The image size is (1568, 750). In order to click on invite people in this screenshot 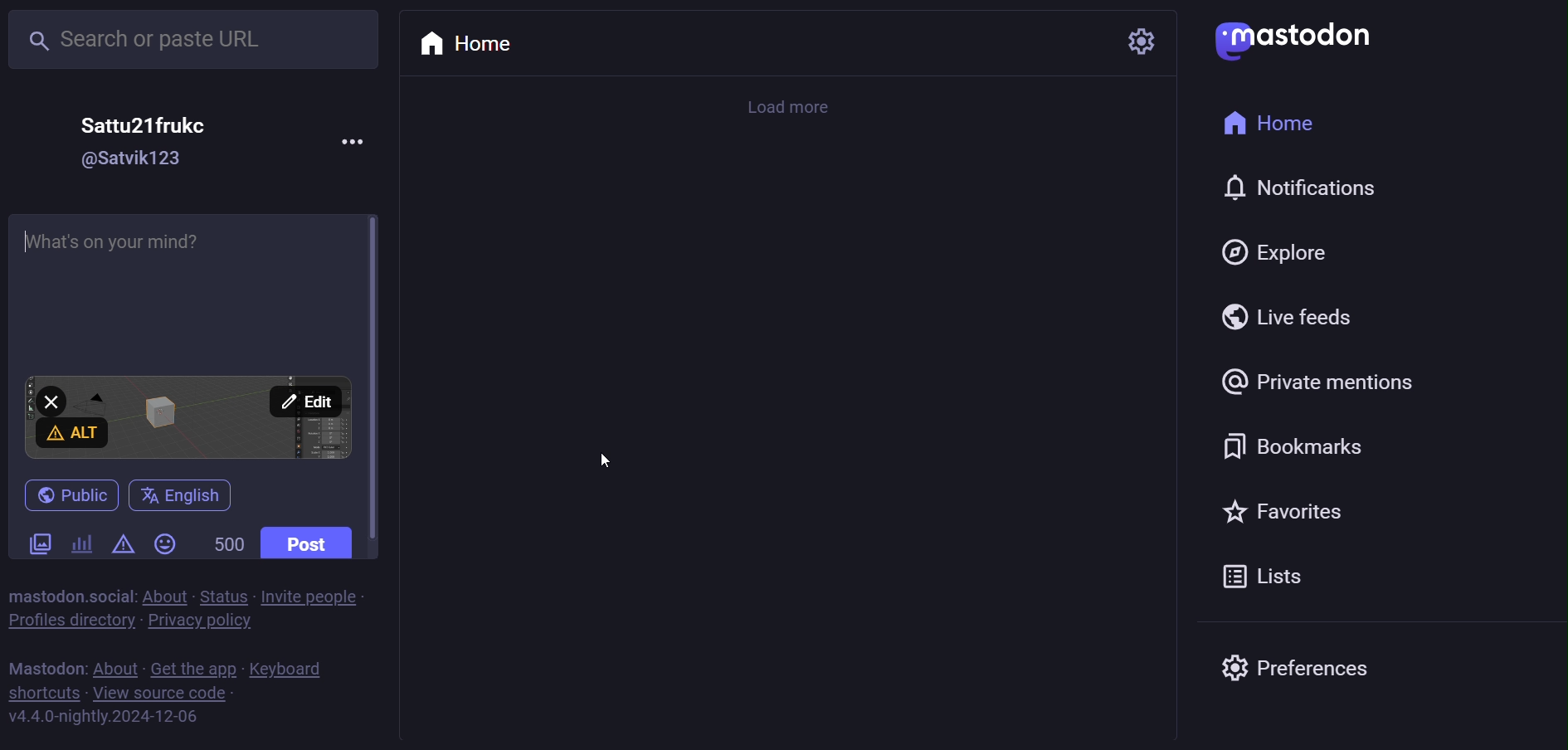, I will do `click(312, 595)`.